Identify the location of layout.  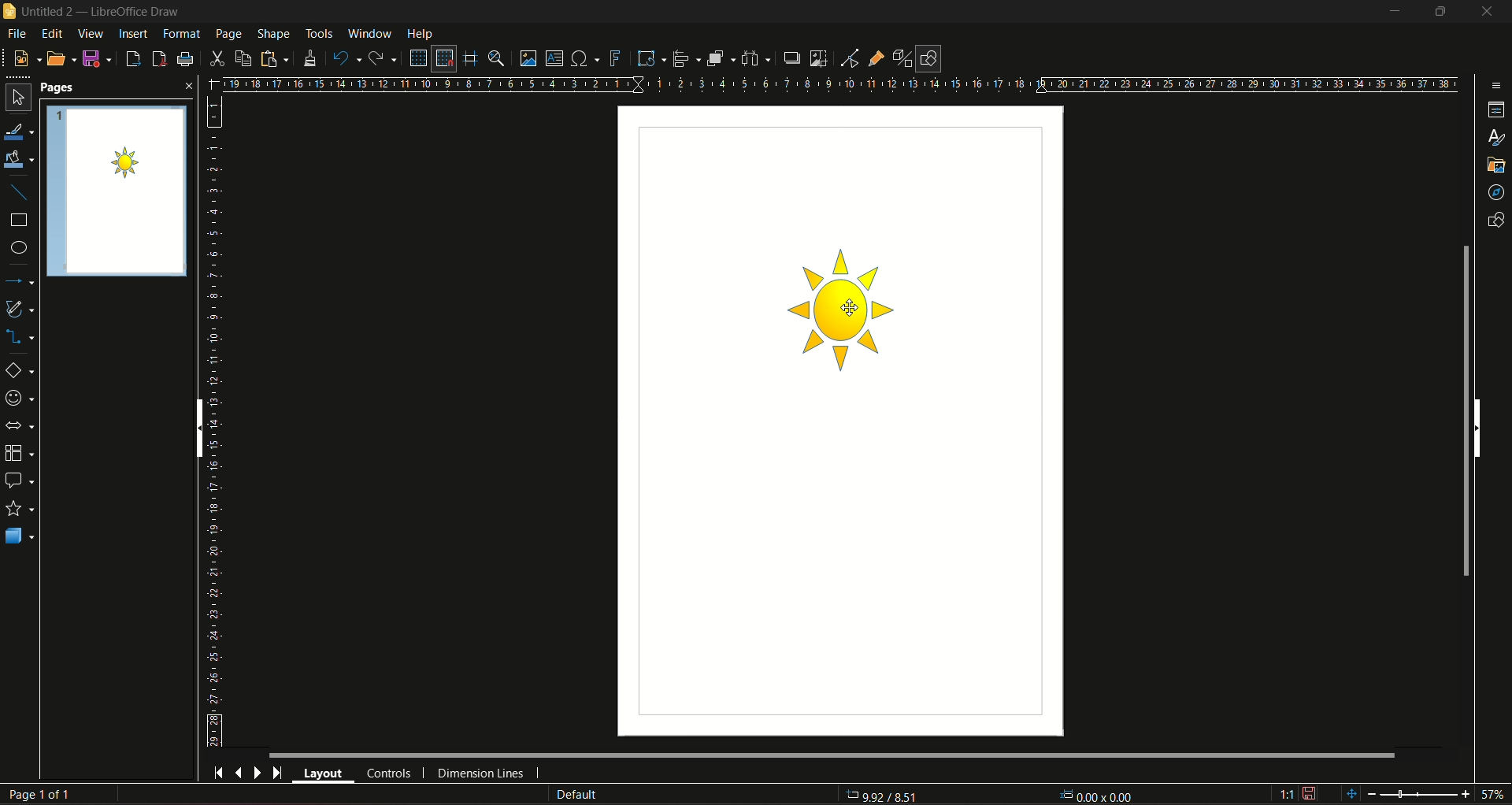
(324, 774).